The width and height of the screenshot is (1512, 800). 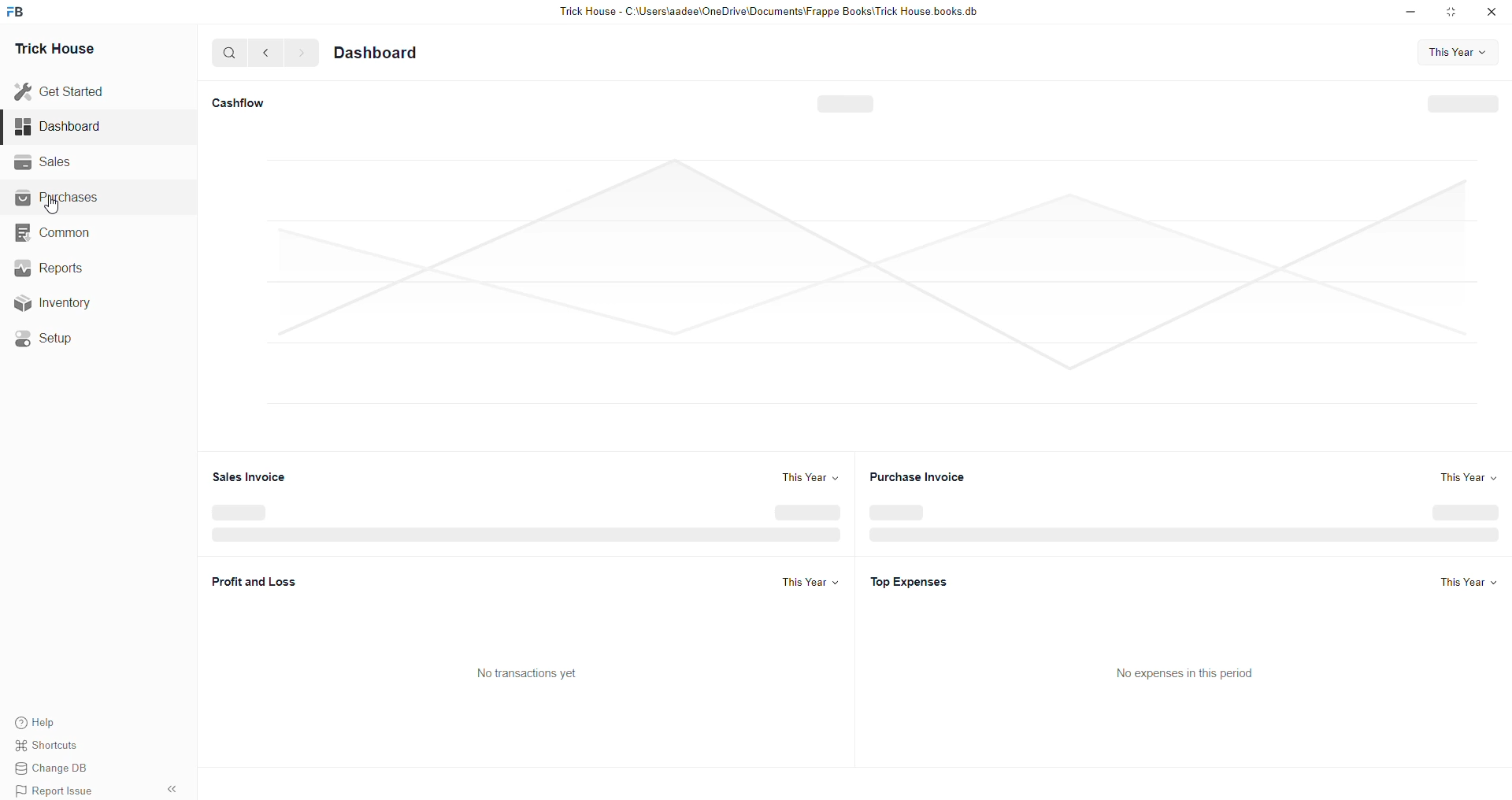 I want to click on Purchase Invoice, so click(x=924, y=476).